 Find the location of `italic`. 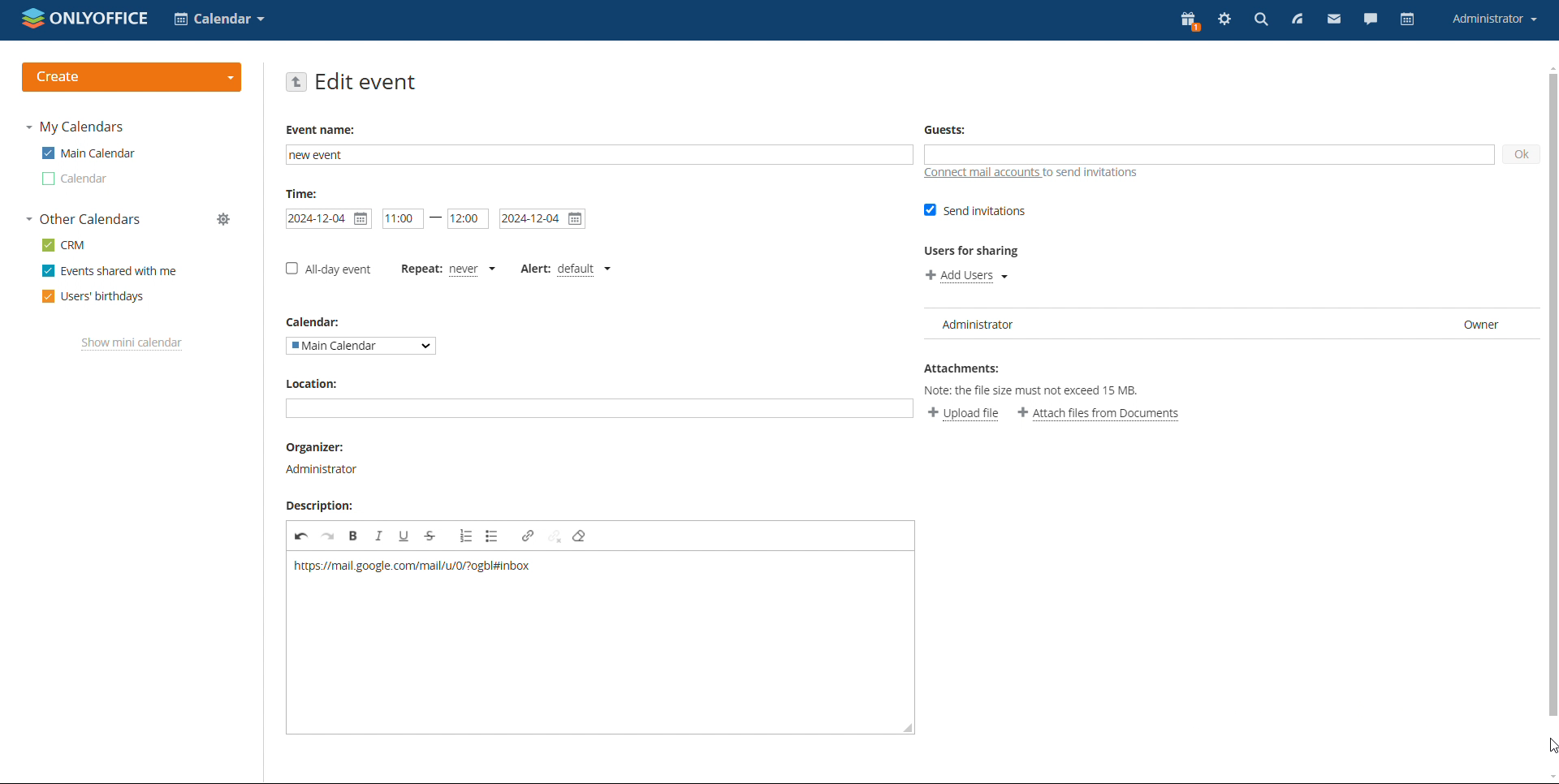

italic is located at coordinates (378, 536).